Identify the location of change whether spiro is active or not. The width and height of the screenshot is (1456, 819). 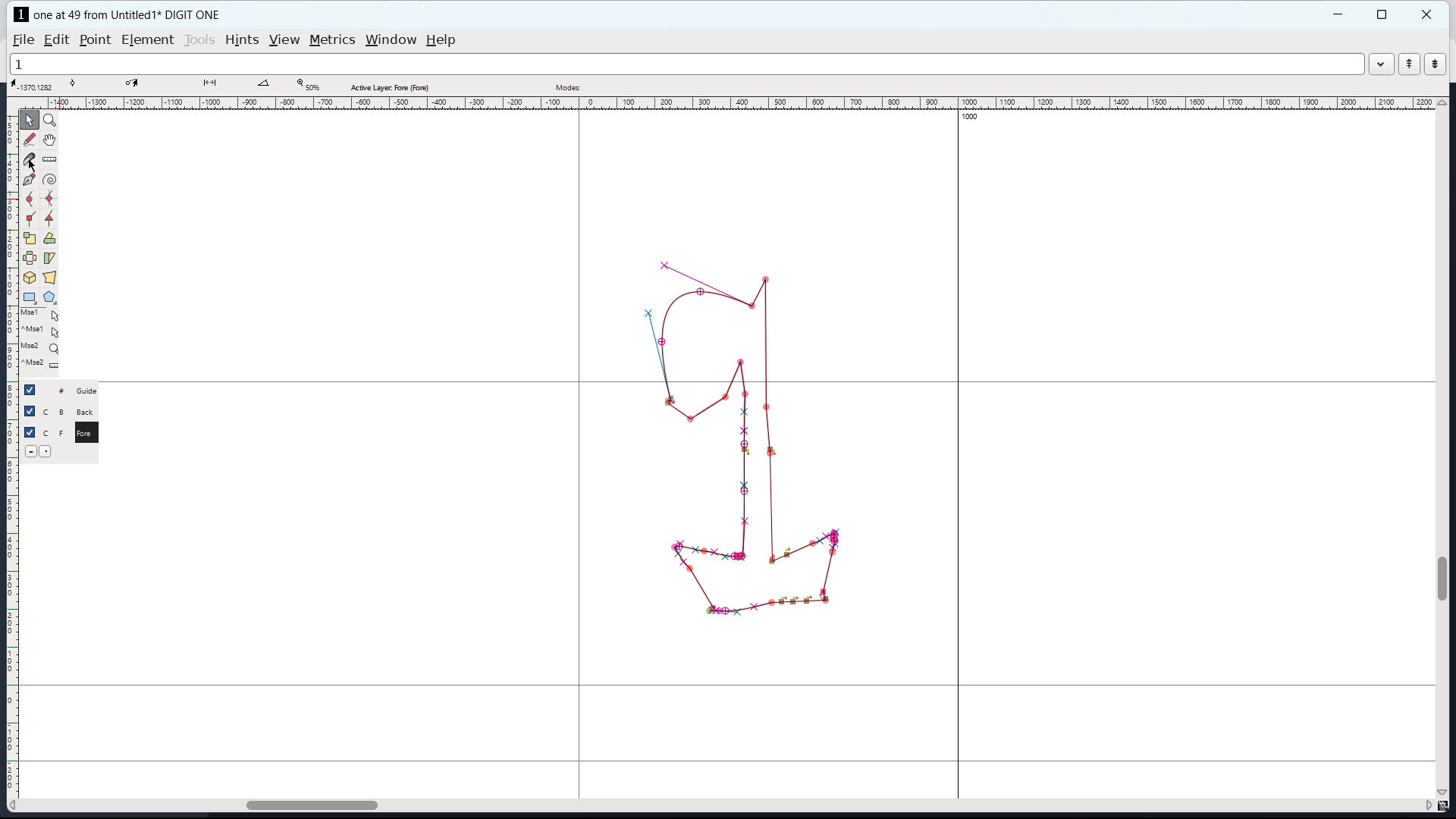
(49, 180).